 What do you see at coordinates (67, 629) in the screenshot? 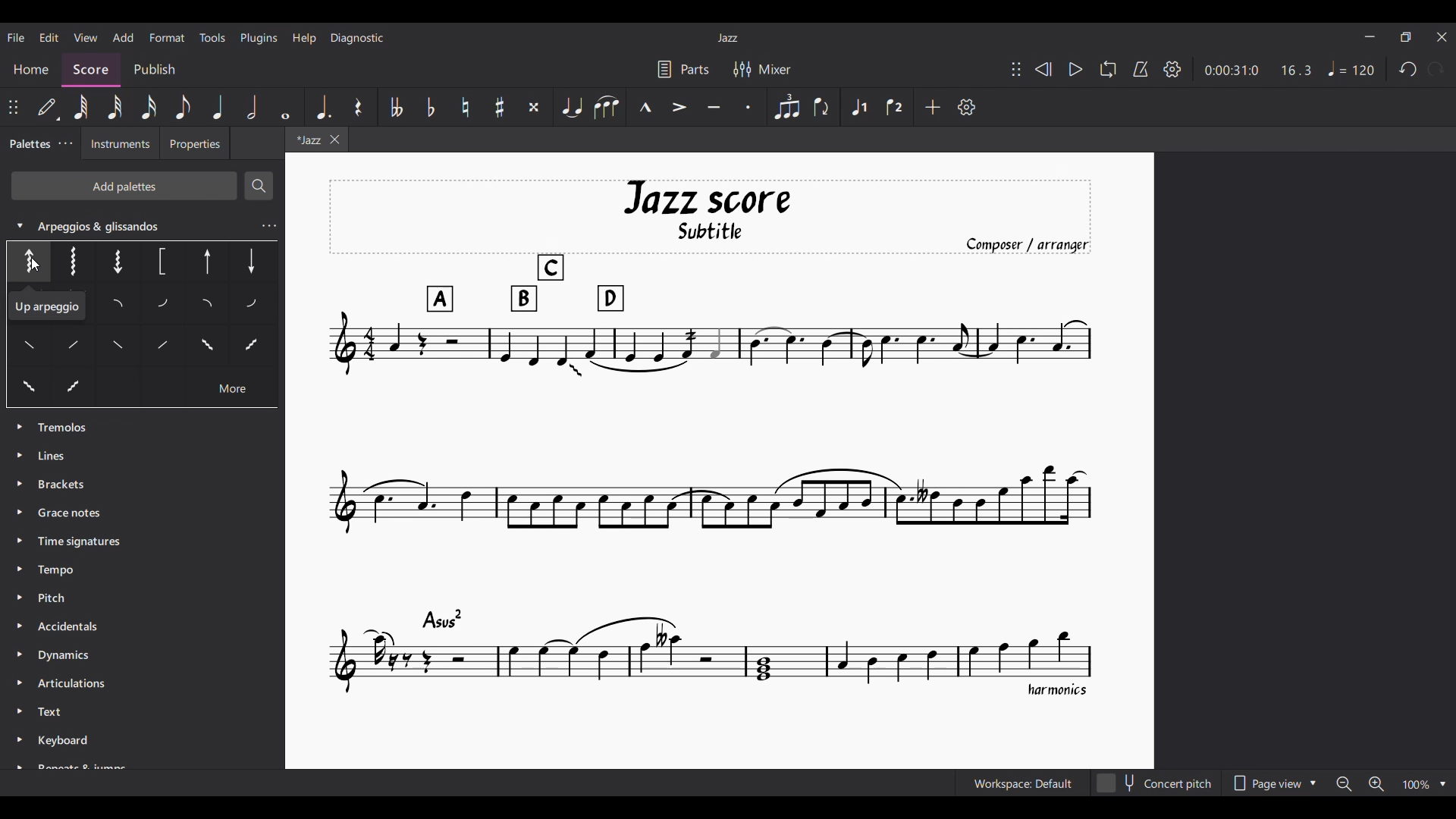
I see `Accidentals` at bounding box center [67, 629].